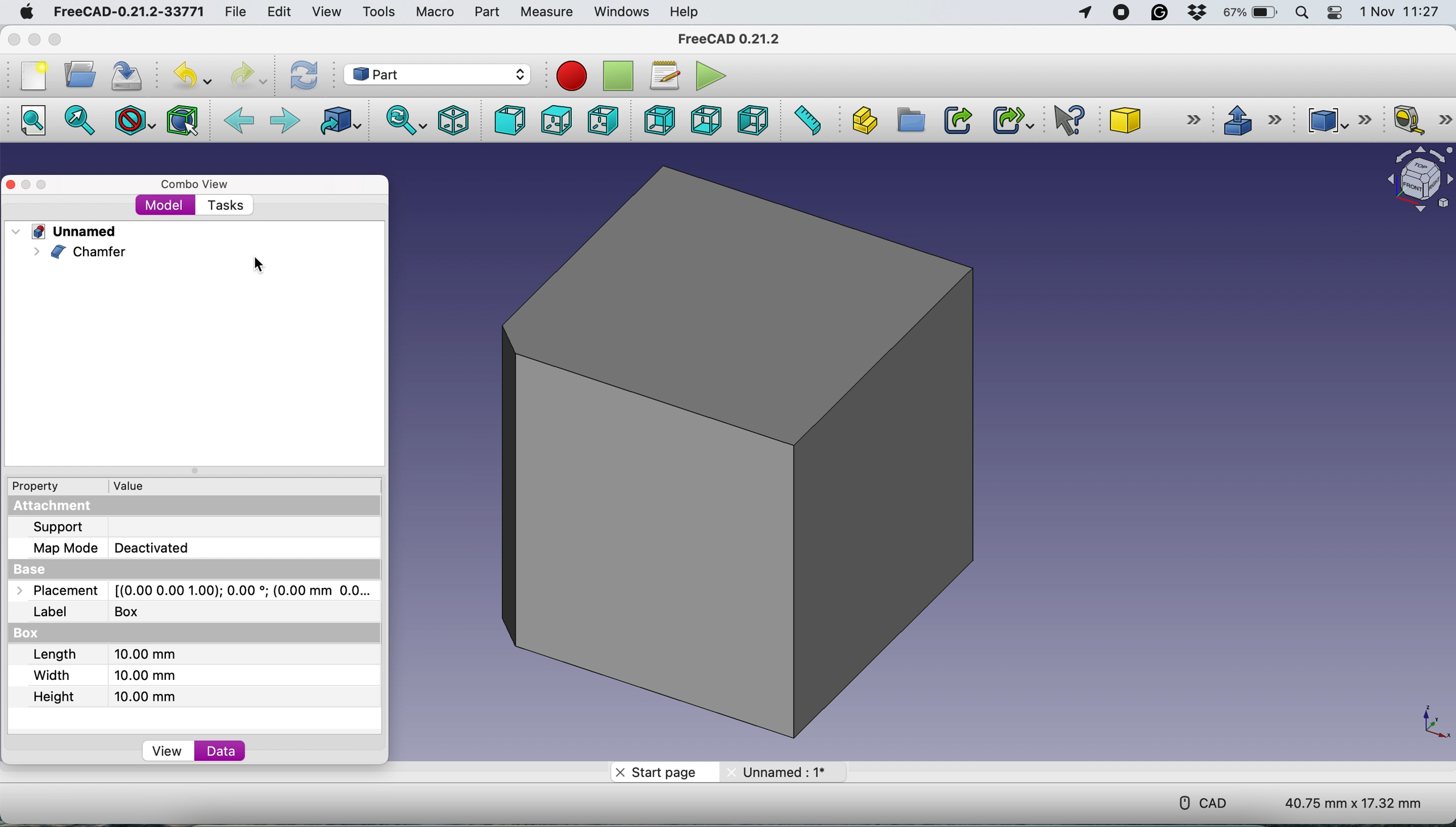 The width and height of the screenshot is (1456, 827). What do you see at coordinates (166, 751) in the screenshot?
I see `view` at bounding box center [166, 751].